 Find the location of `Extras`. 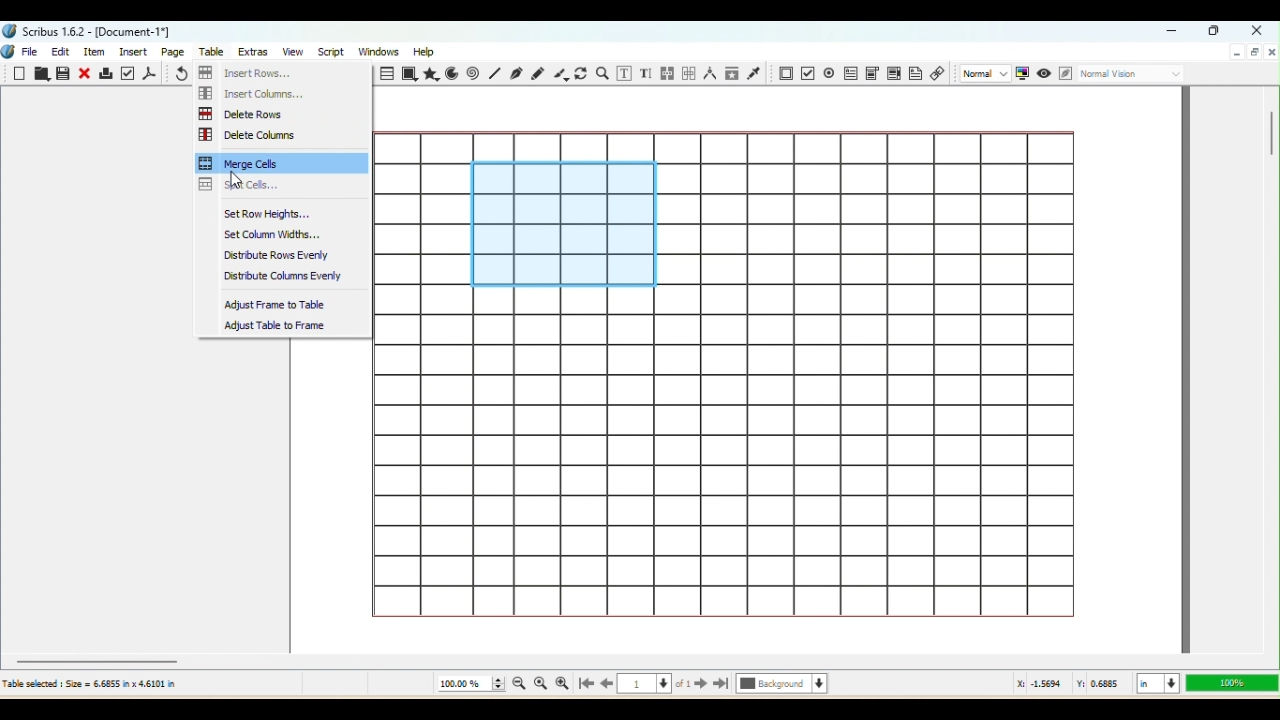

Extras is located at coordinates (255, 51).